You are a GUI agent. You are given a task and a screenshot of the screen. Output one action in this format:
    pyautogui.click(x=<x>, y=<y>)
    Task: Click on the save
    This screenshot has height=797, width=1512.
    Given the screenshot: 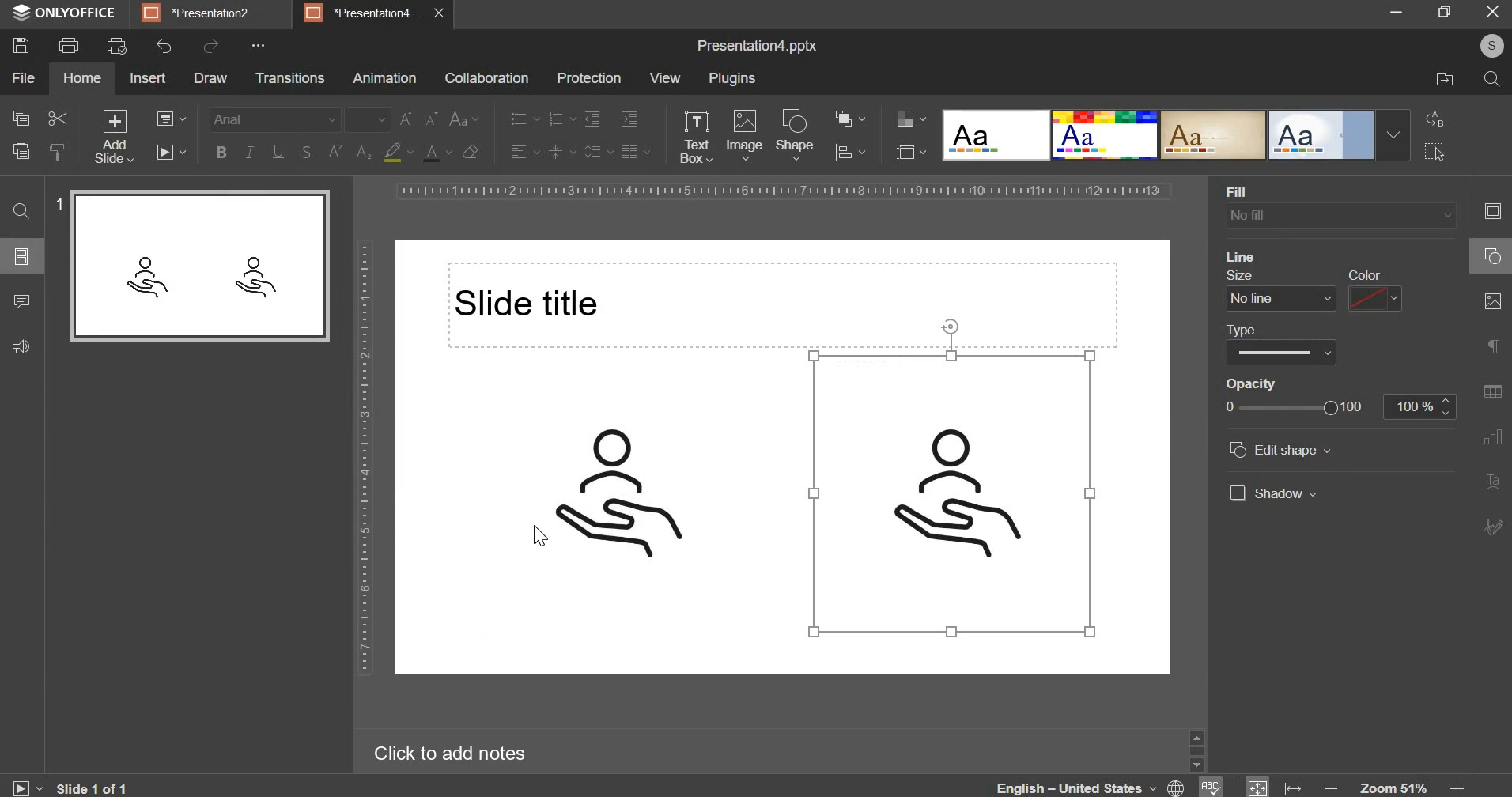 What is the action you would take?
    pyautogui.click(x=22, y=46)
    